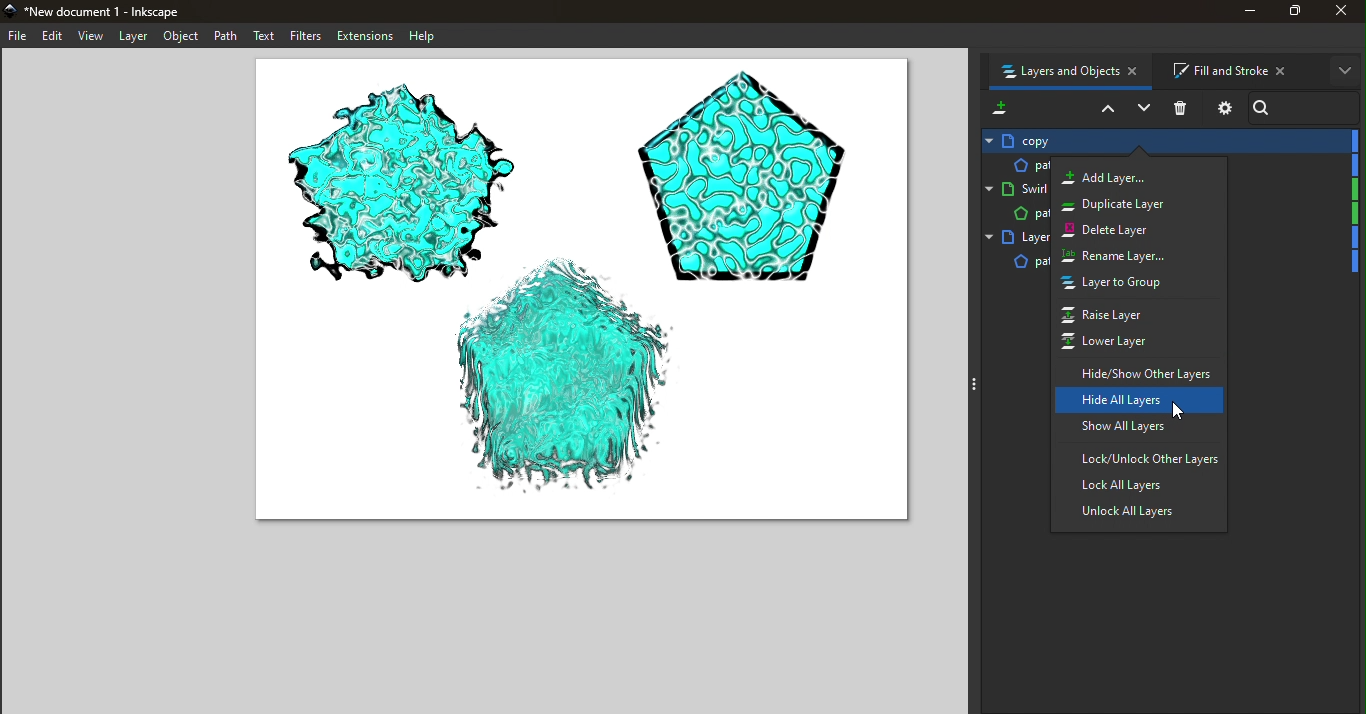 The width and height of the screenshot is (1366, 714). I want to click on Layer, so click(134, 37).